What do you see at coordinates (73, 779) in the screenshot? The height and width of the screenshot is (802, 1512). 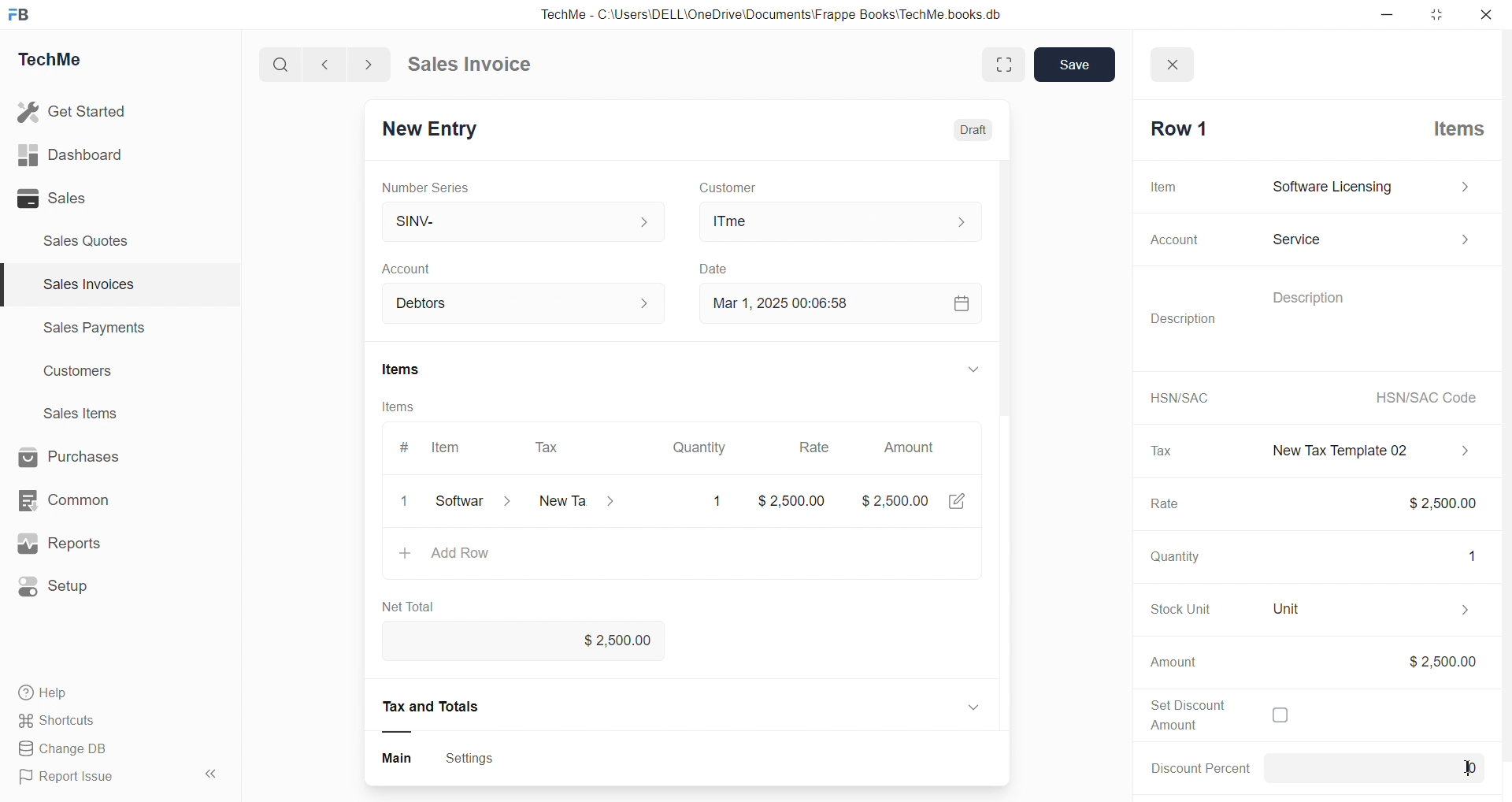 I see ` Report Issue` at bounding box center [73, 779].